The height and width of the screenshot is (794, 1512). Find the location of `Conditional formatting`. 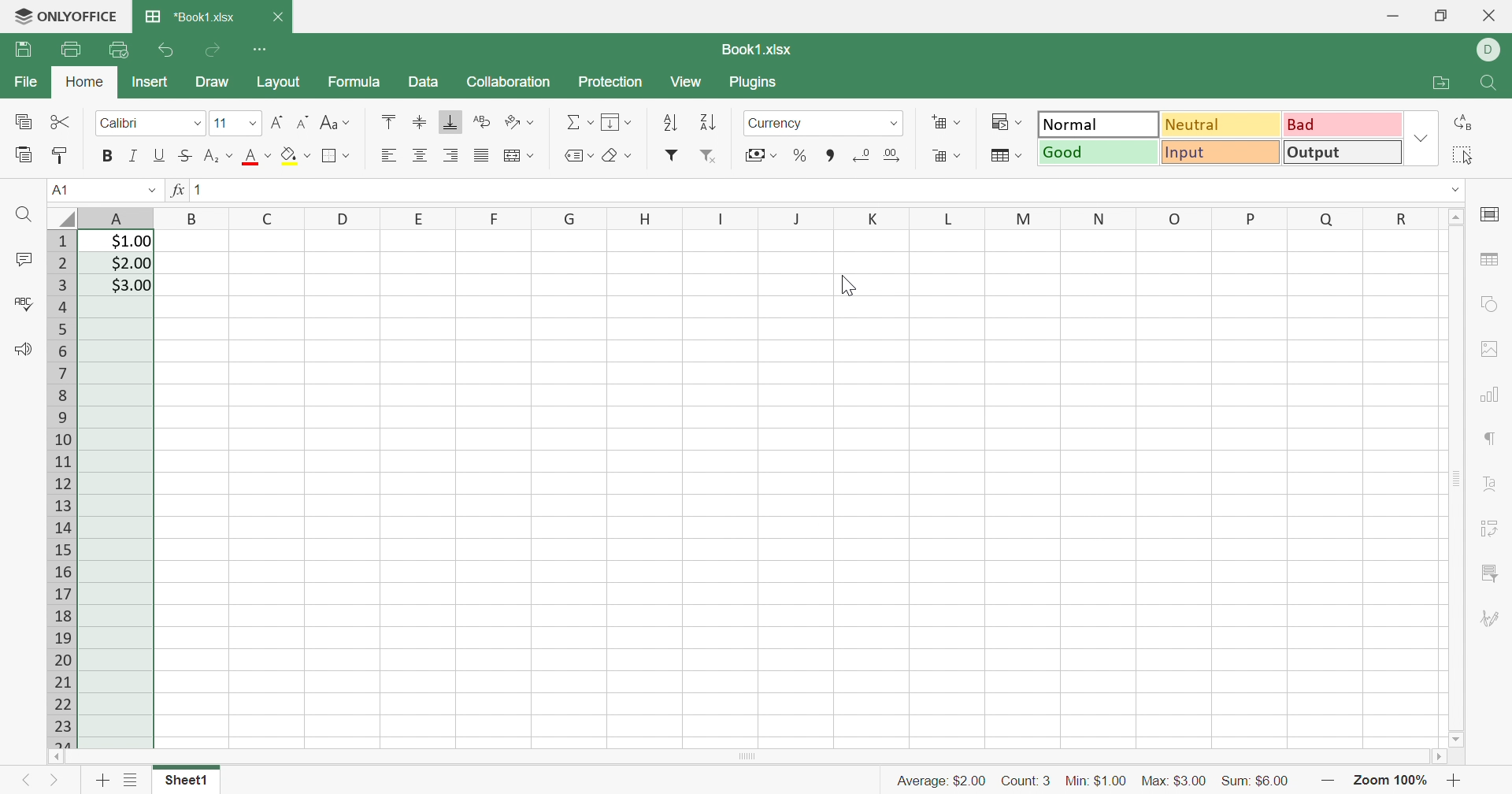

Conditional formatting is located at coordinates (1005, 121).